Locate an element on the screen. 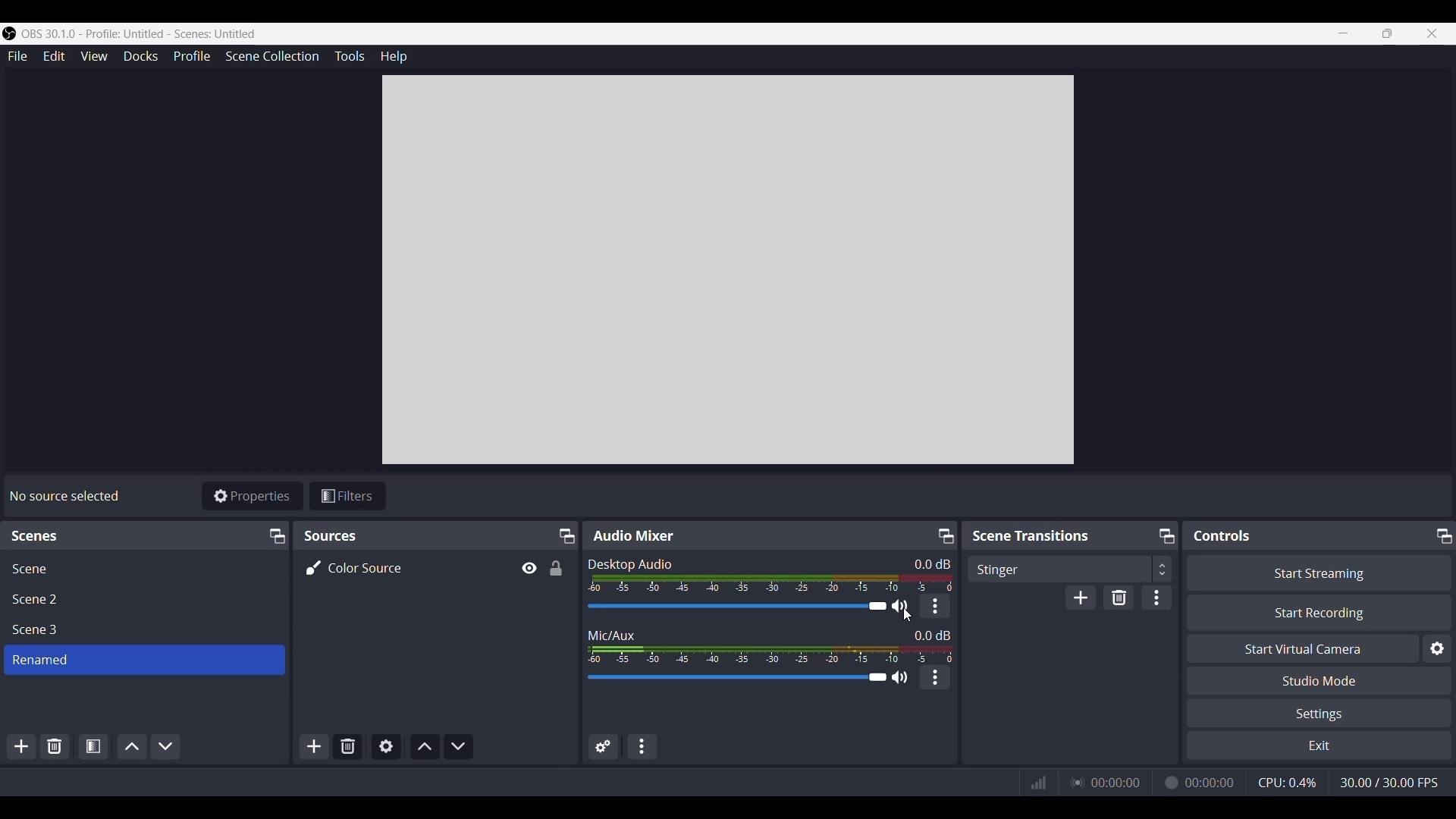 This screenshot has height=819, width=1456. Transition properties is located at coordinates (1156, 598).